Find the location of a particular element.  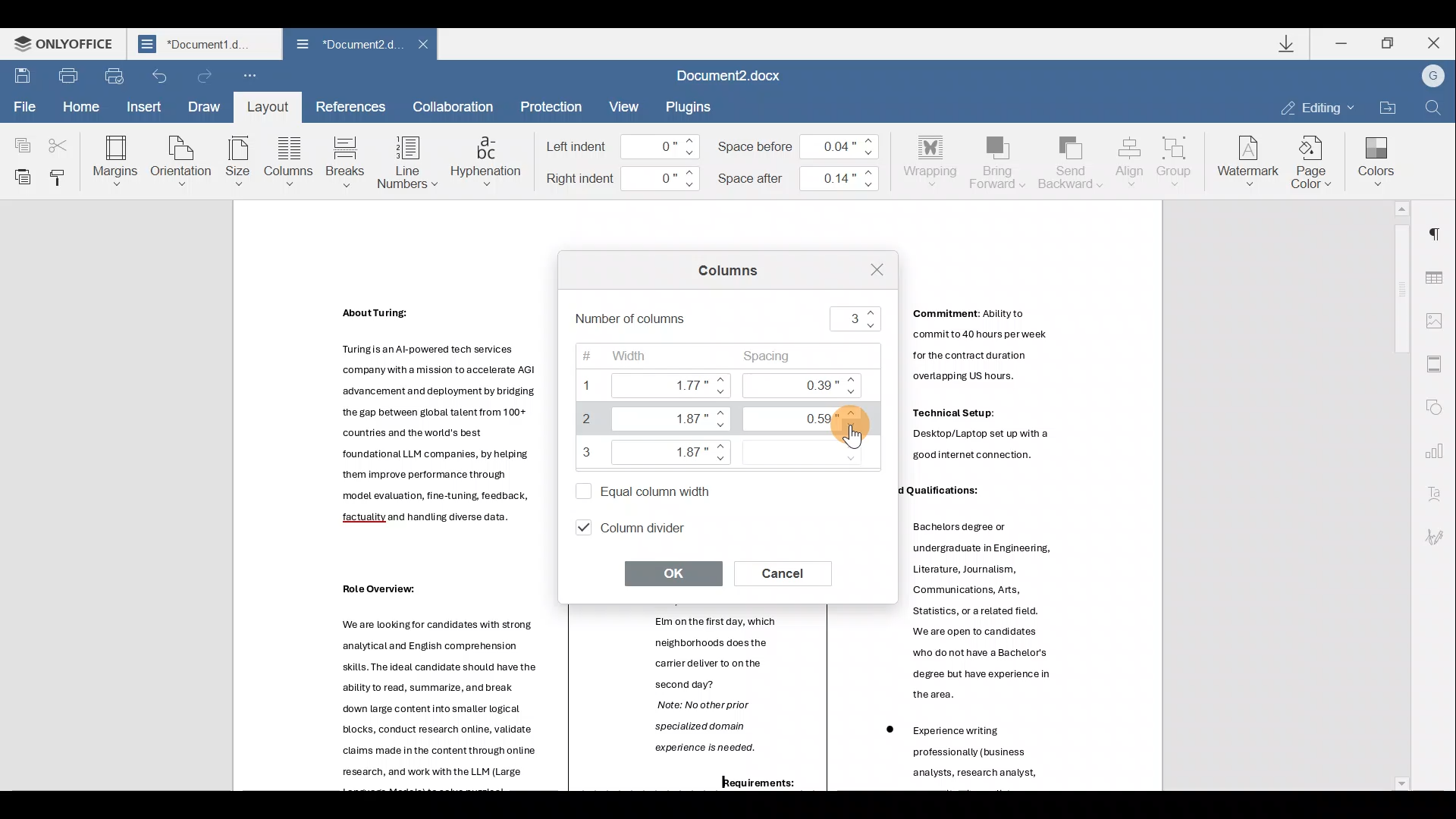

Home is located at coordinates (80, 105).